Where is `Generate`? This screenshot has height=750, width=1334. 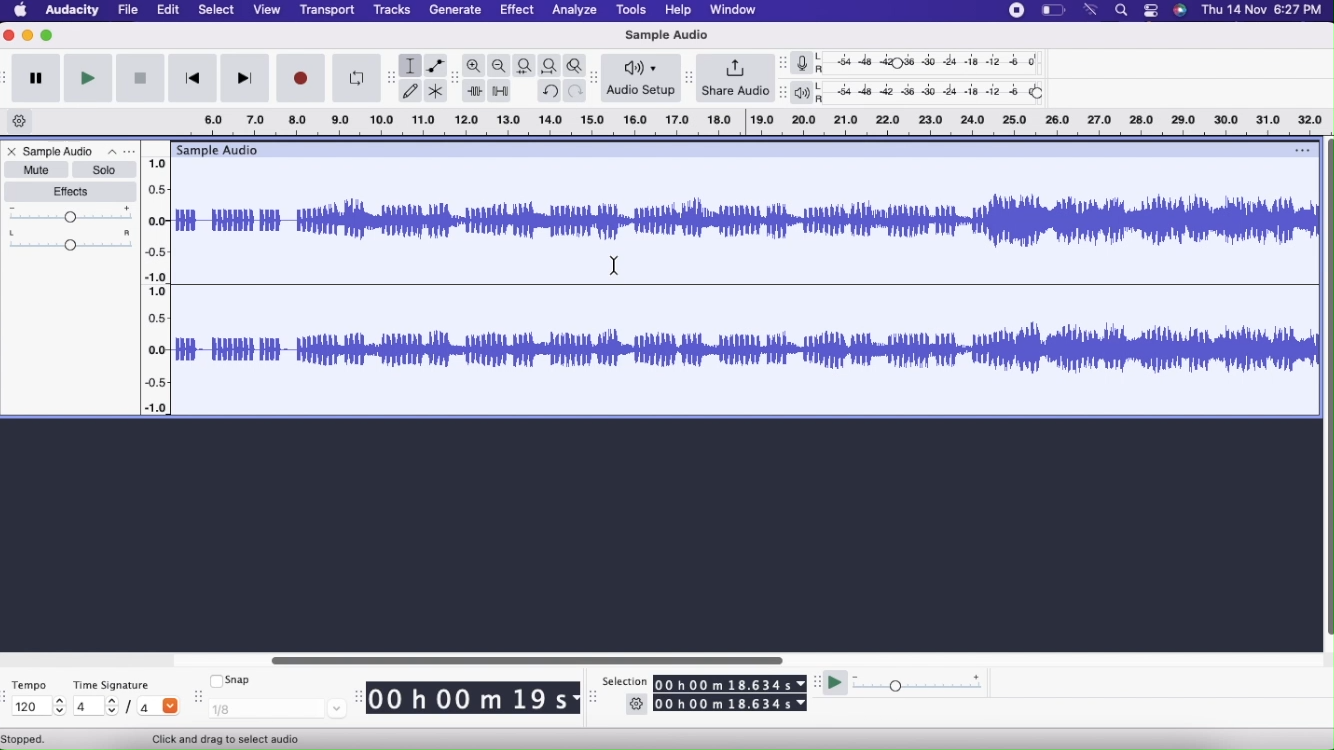
Generate is located at coordinates (455, 10).